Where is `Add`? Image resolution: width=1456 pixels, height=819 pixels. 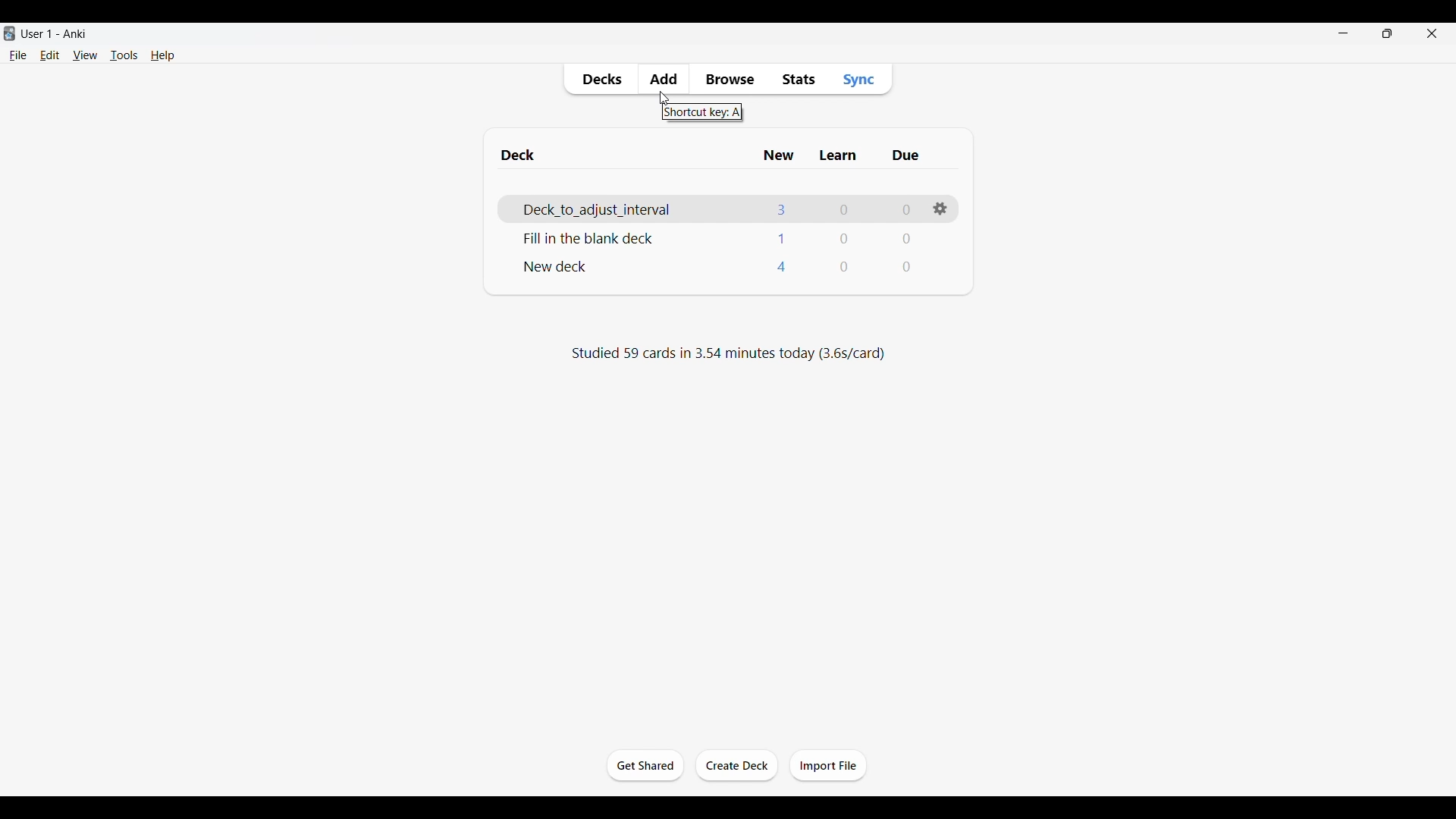
Add is located at coordinates (663, 77).